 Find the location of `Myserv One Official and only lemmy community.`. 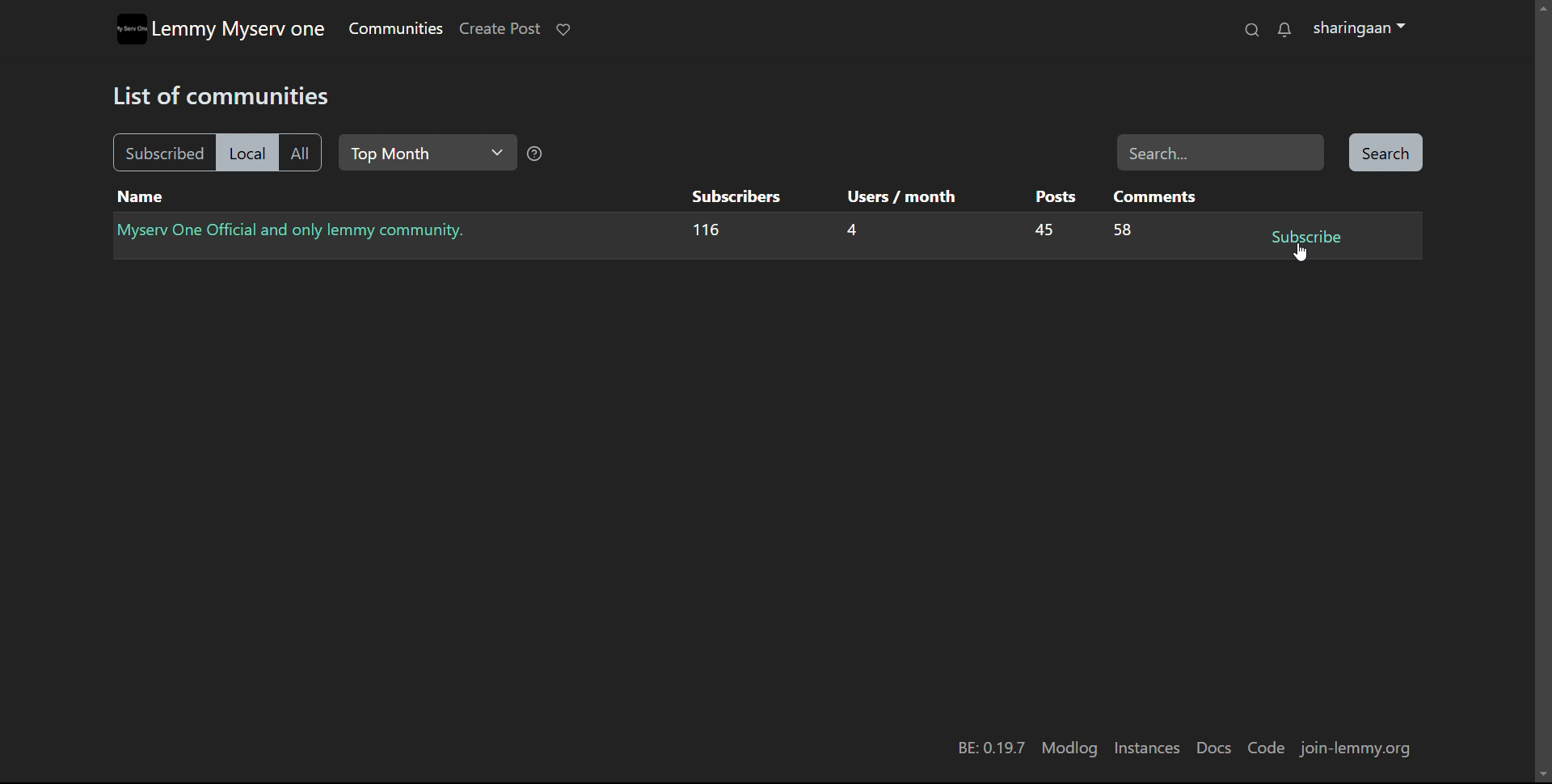

Myserv One Official and only lemmy community. is located at coordinates (296, 230).